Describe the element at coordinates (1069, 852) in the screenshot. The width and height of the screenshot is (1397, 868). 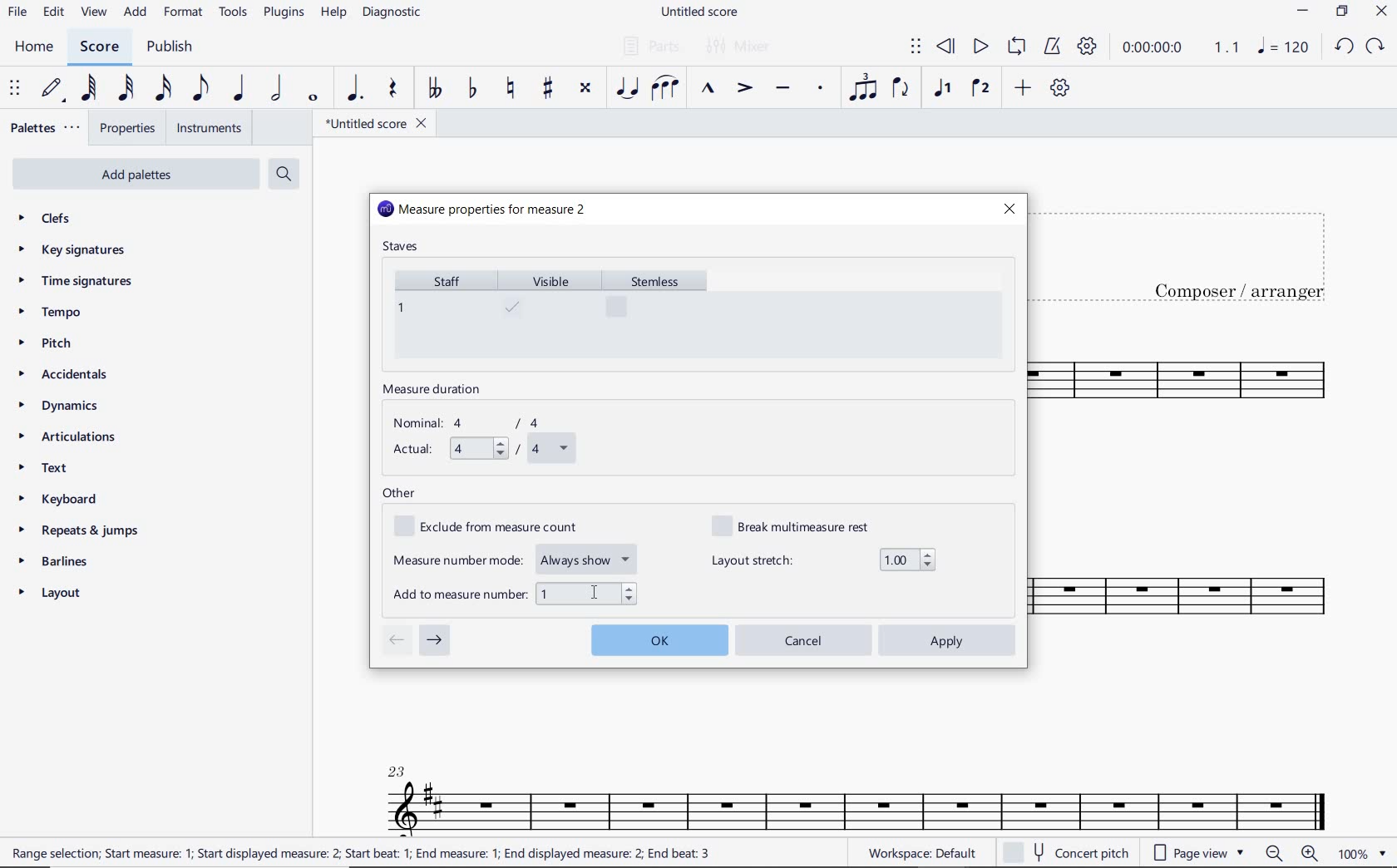
I see `concert pitch` at that location.